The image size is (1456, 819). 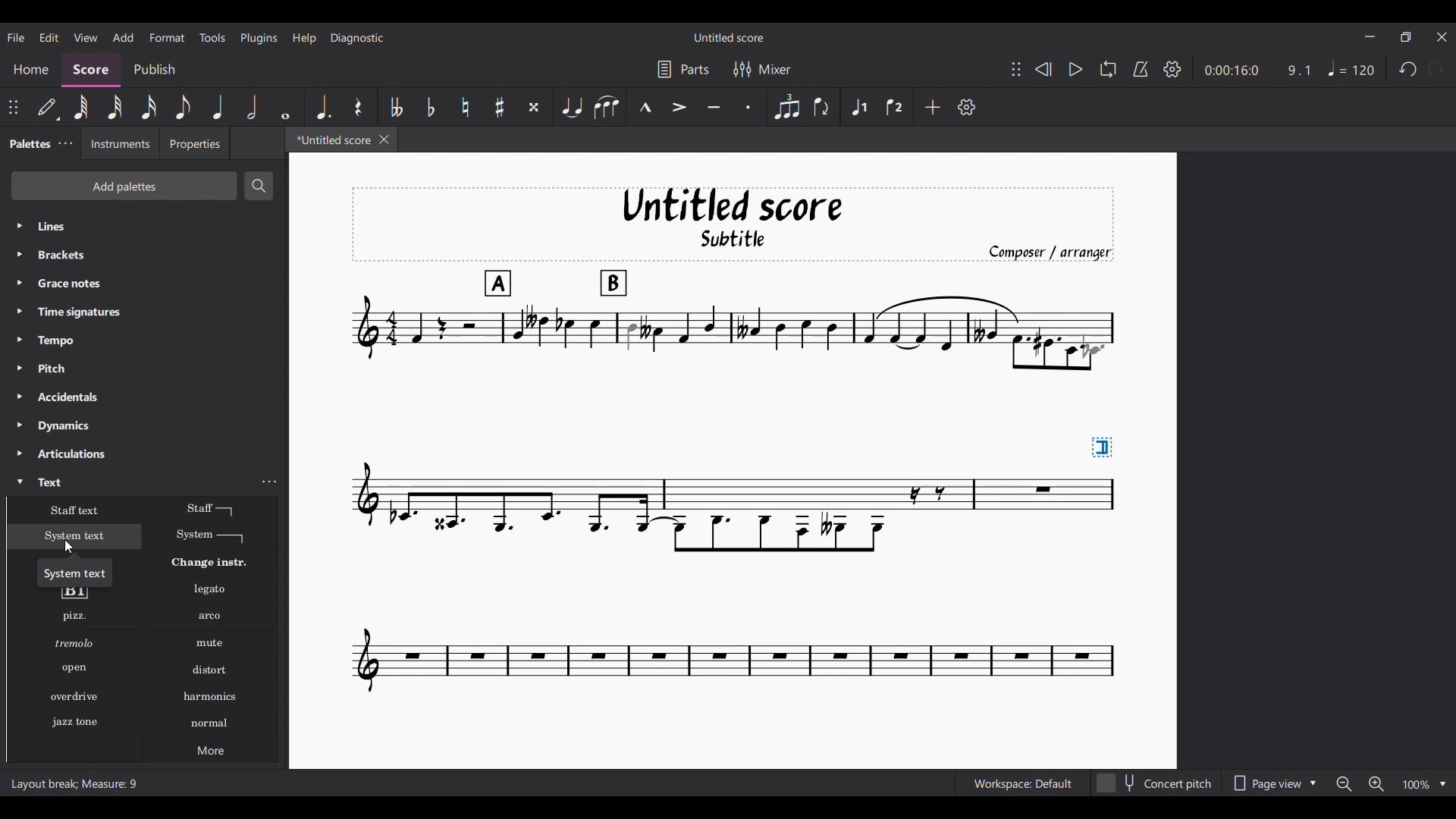 What do you see at coordinates (144, 426) in the screenshot?
I see `Dynamics` at bounding box center [144, 426].